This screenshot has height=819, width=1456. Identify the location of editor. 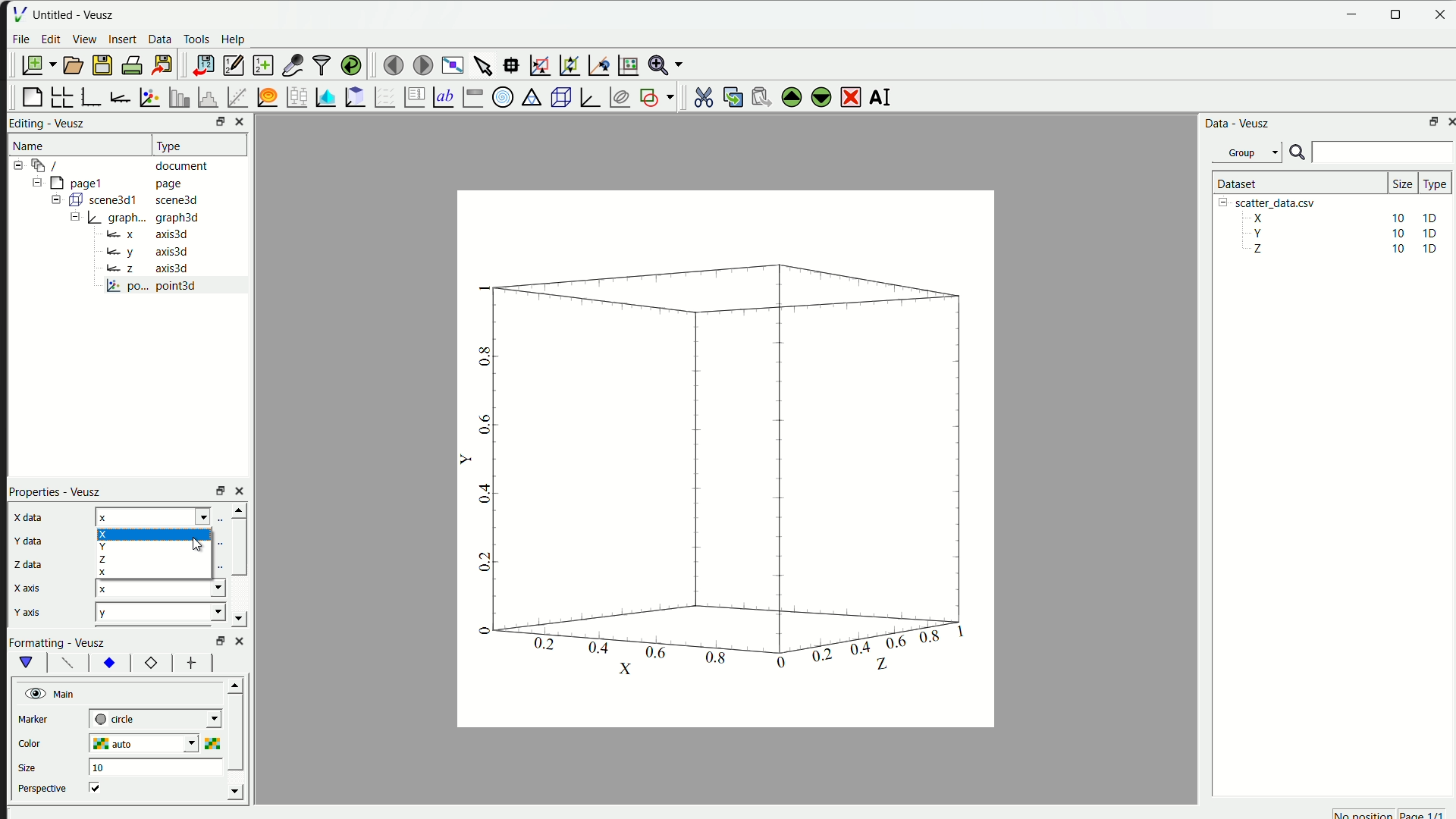
(231, 65).